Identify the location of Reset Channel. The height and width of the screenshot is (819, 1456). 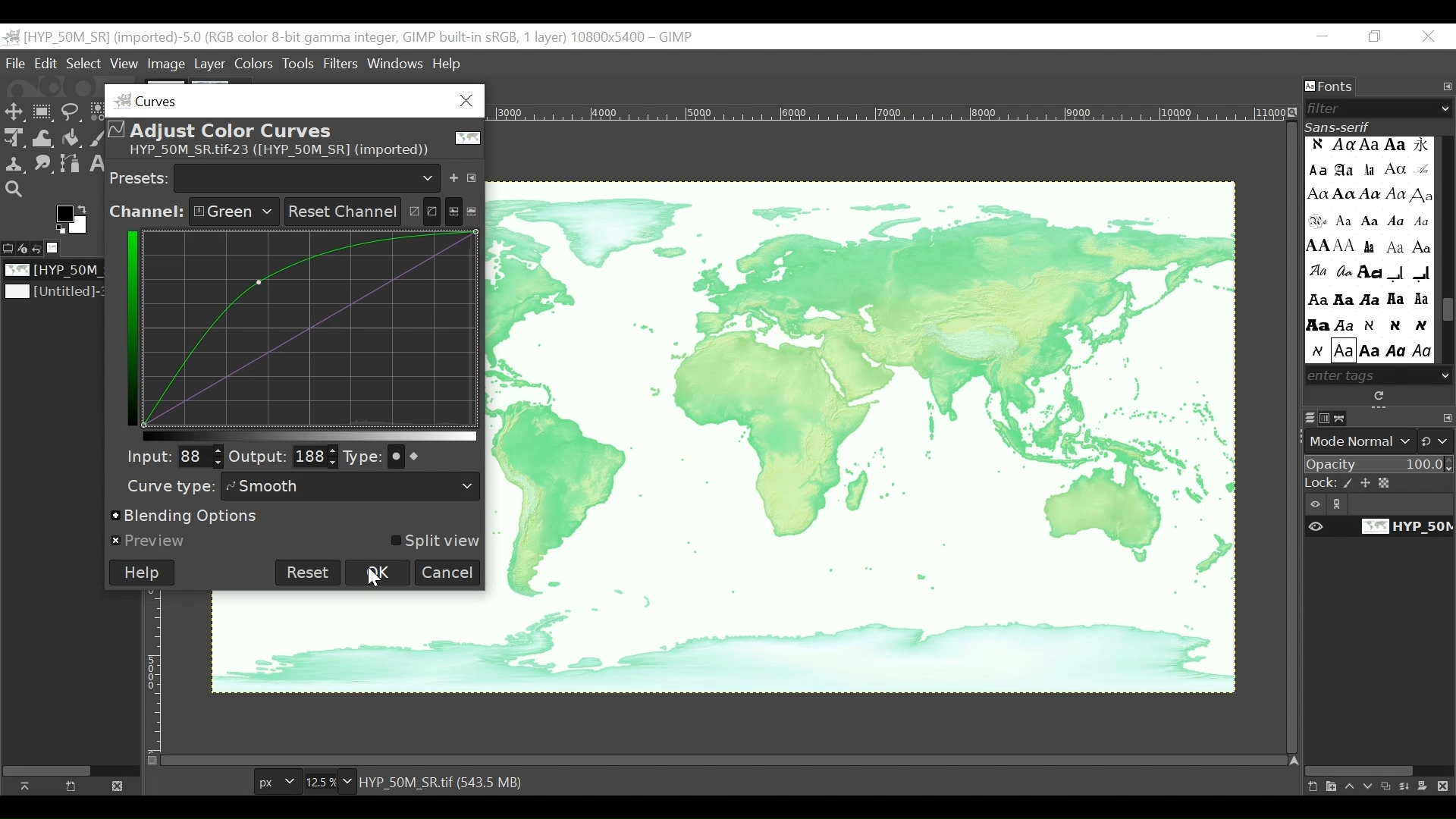
(340, 212).